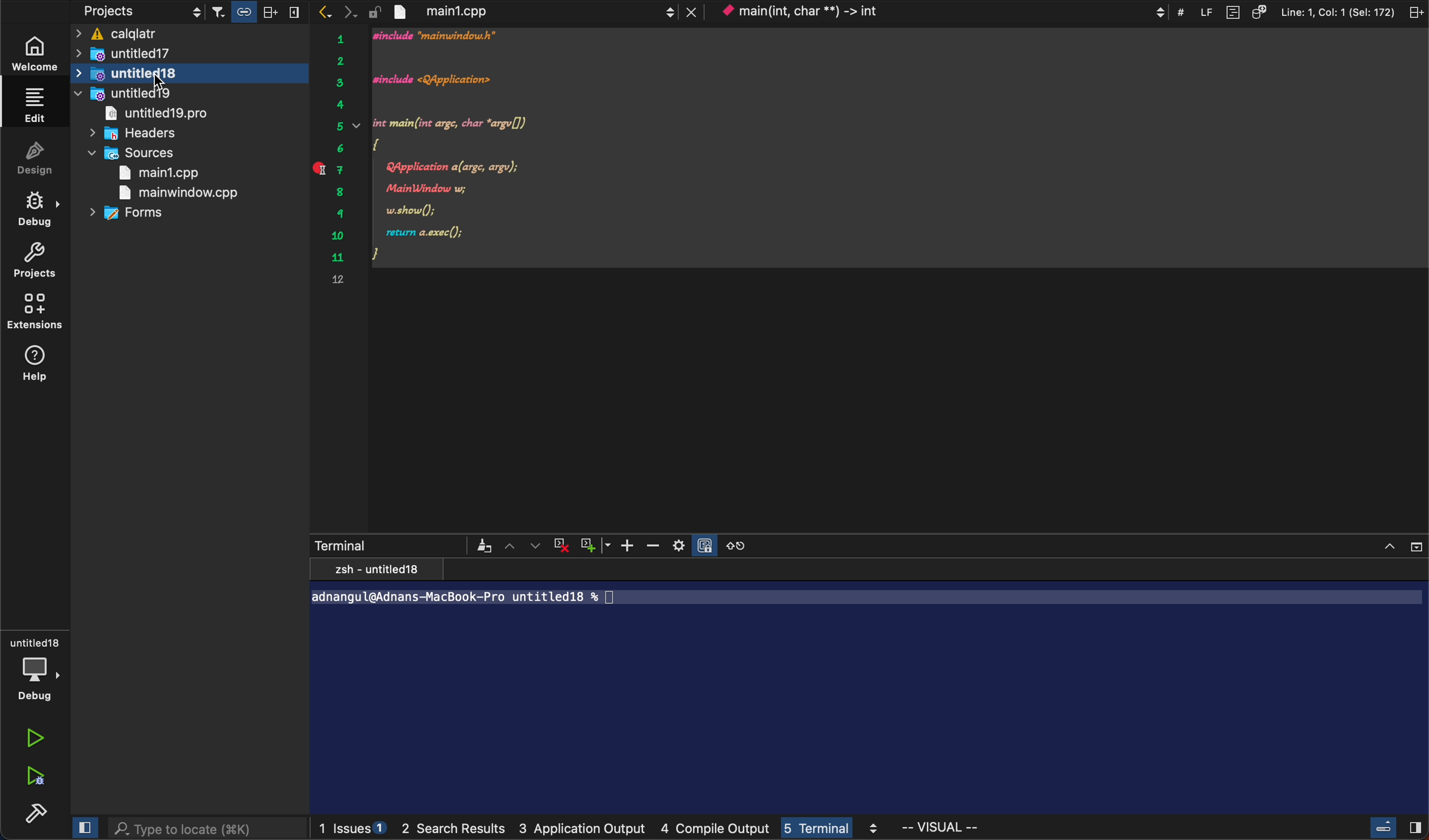  Describe the element at coordinates (678, 545) in the screenshot. I see `setting` at that location.